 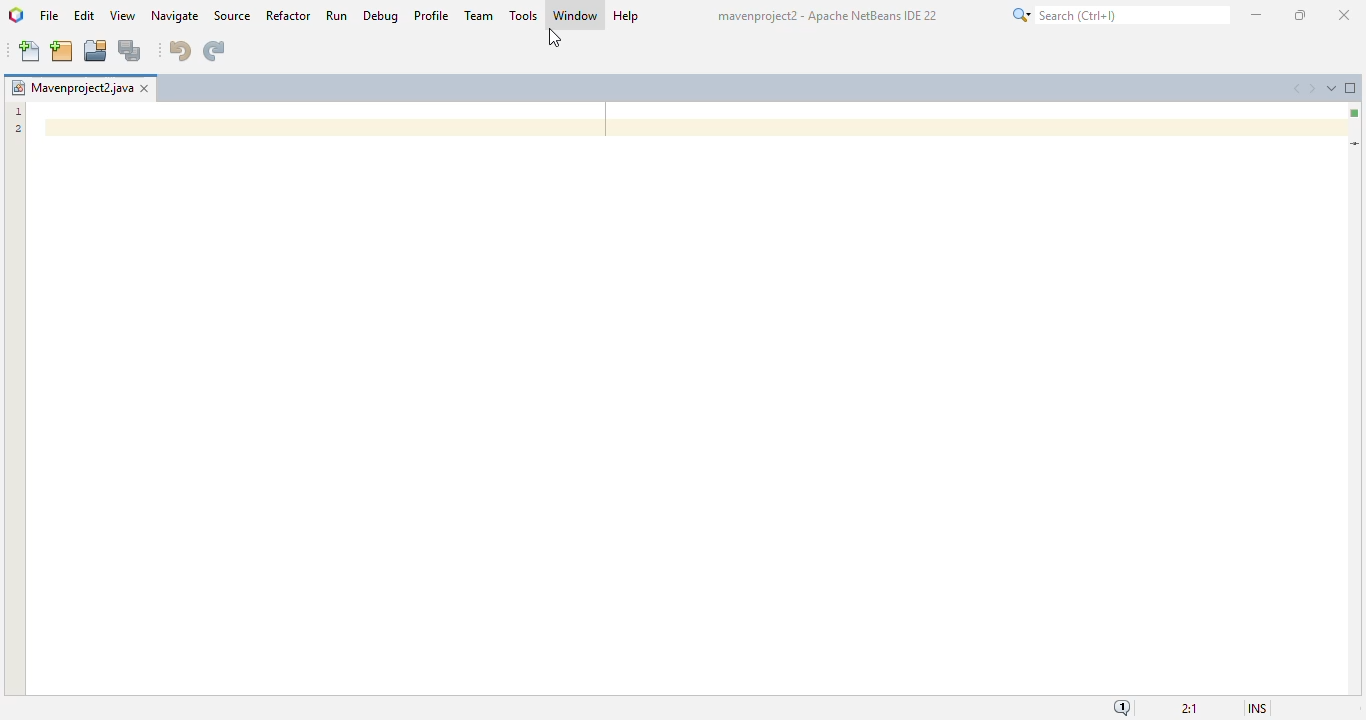 I want to click on cursor, so click(x=555, y=38).